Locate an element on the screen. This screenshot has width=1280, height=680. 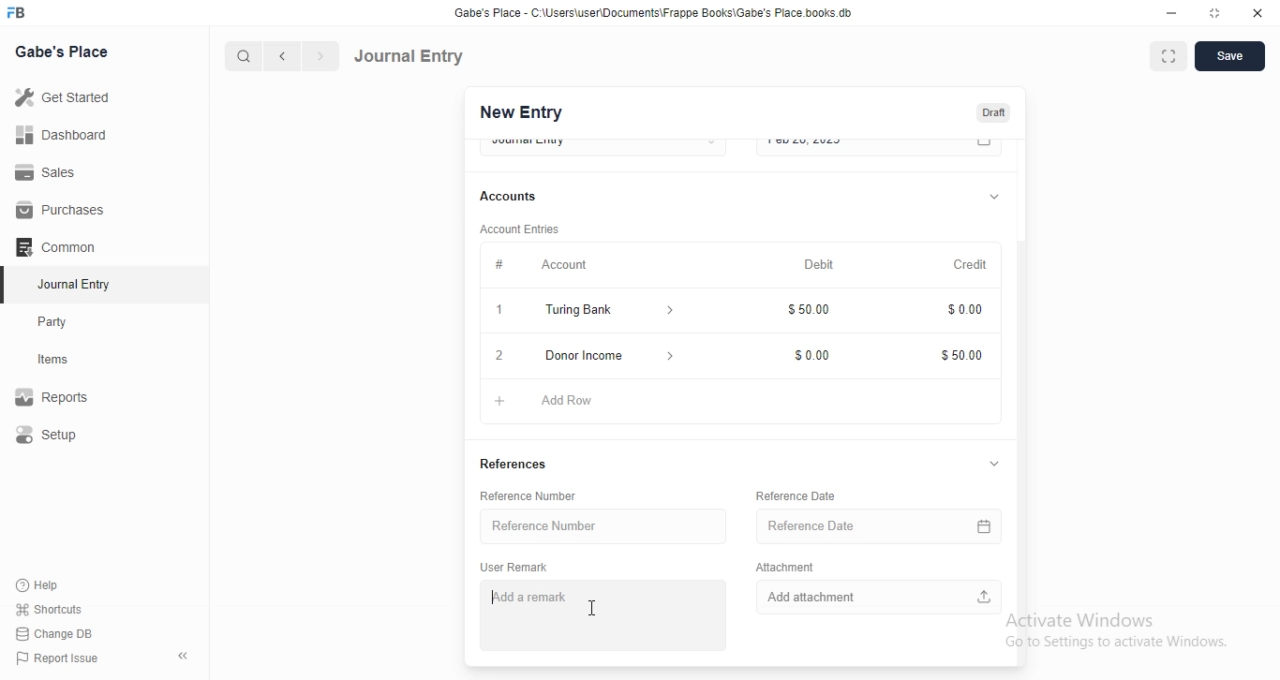
Change DB is located at coordinates (60, 633).